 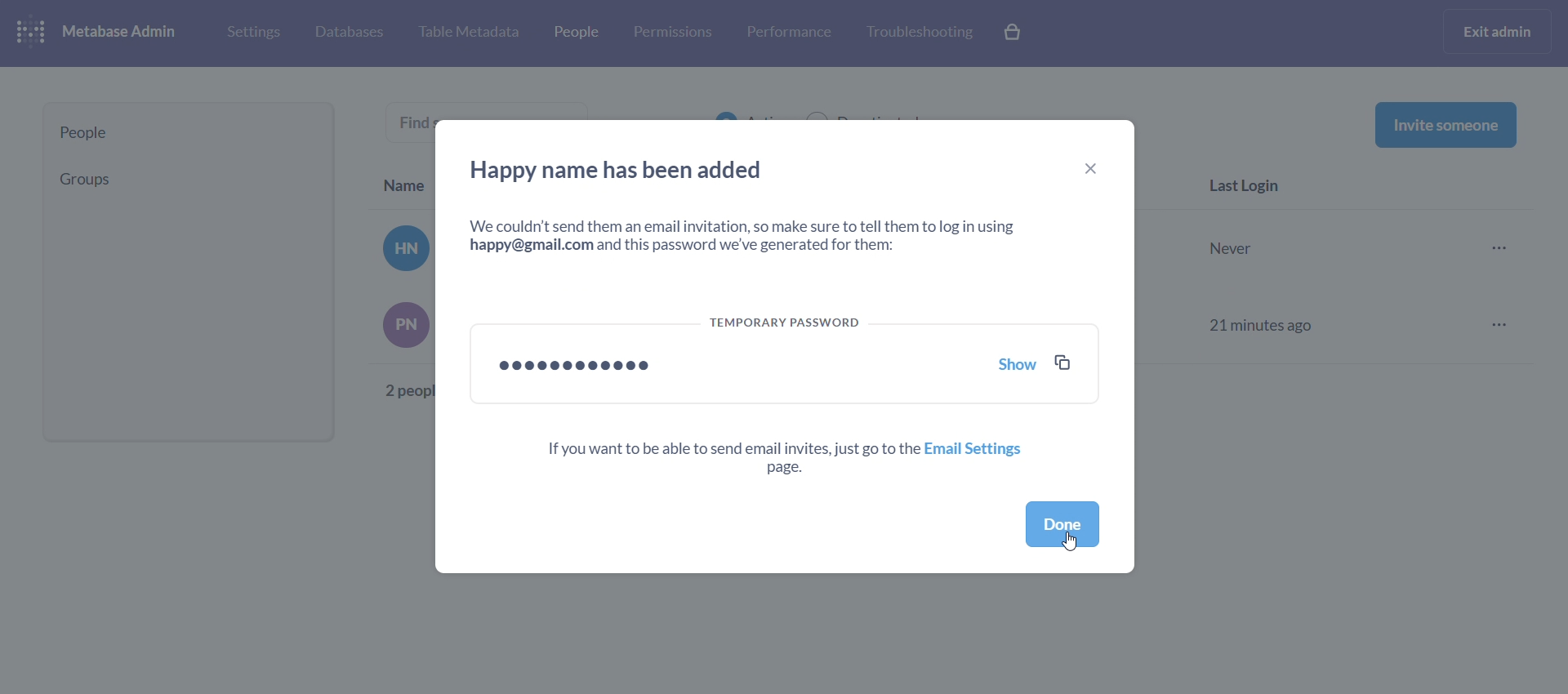 I want to click on Name, so click(x=405, y=182).